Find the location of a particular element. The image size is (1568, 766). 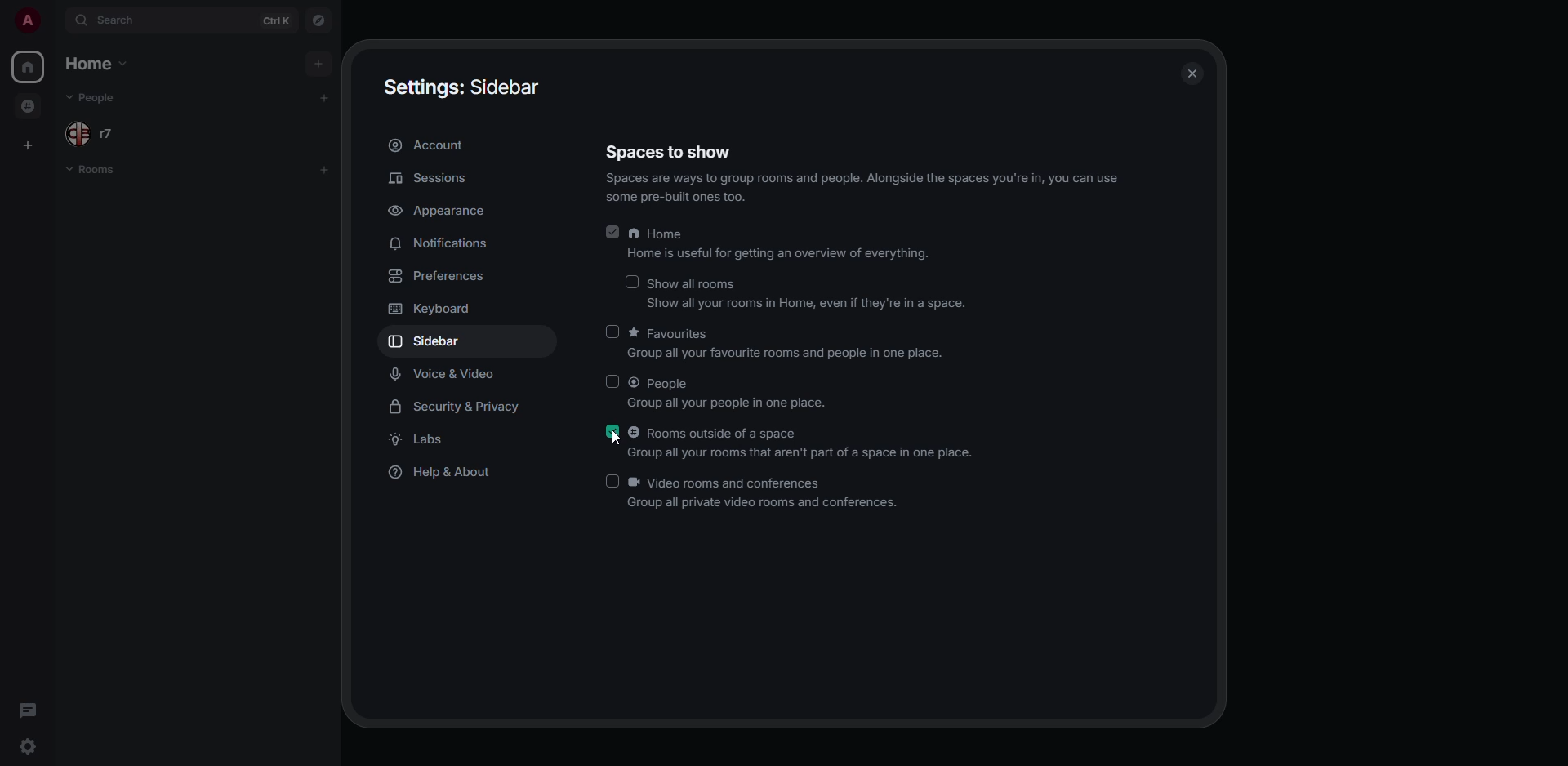

Settings: Sidebar is located at coordinates (464, 88).